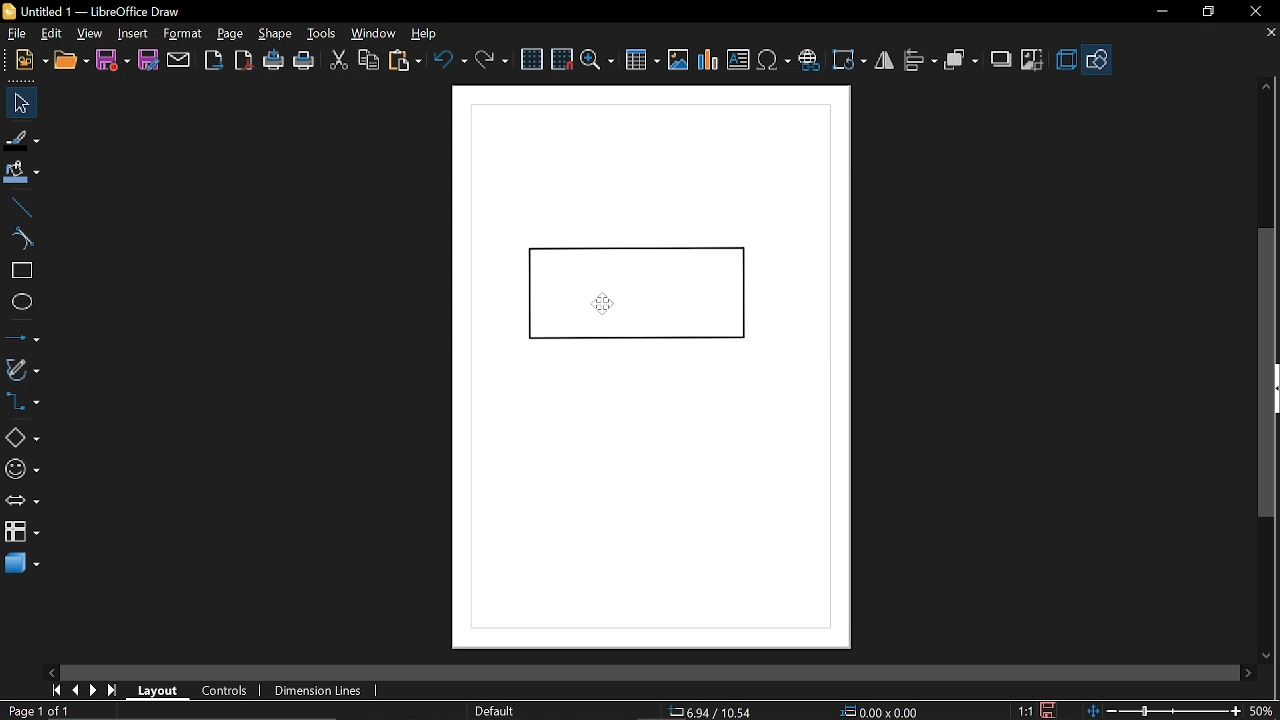  Describe the element at coordinates (112, 60) in the screenshot. I see `save ` at that location.